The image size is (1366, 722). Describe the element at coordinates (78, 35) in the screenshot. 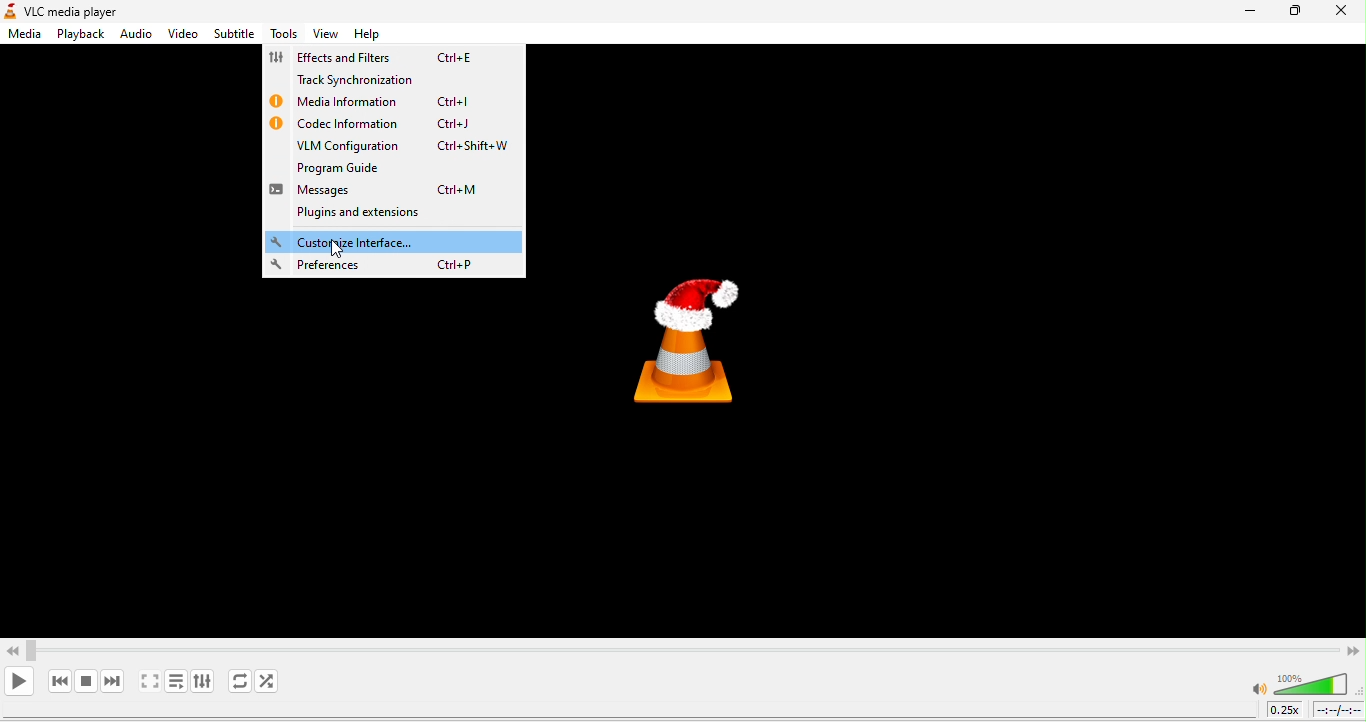

I see `playback` at that location.